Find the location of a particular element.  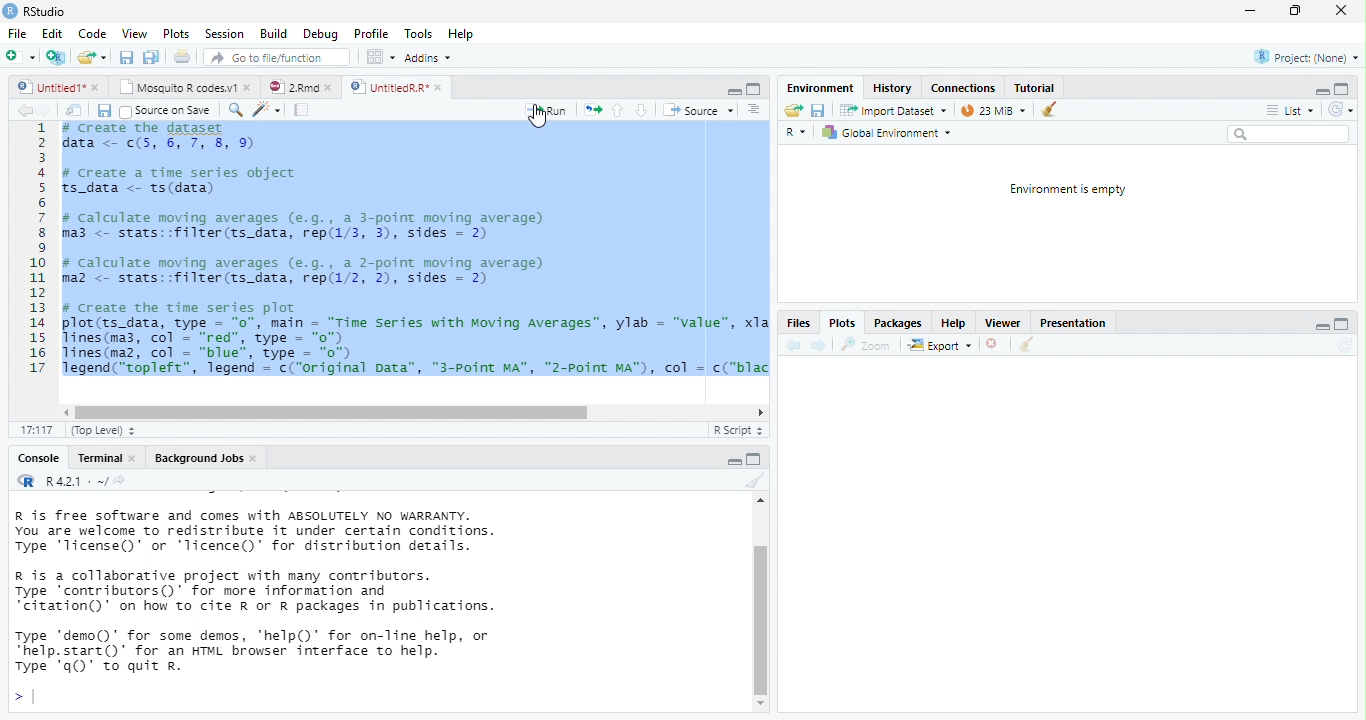

Tools is located at coordinates (419, 33).